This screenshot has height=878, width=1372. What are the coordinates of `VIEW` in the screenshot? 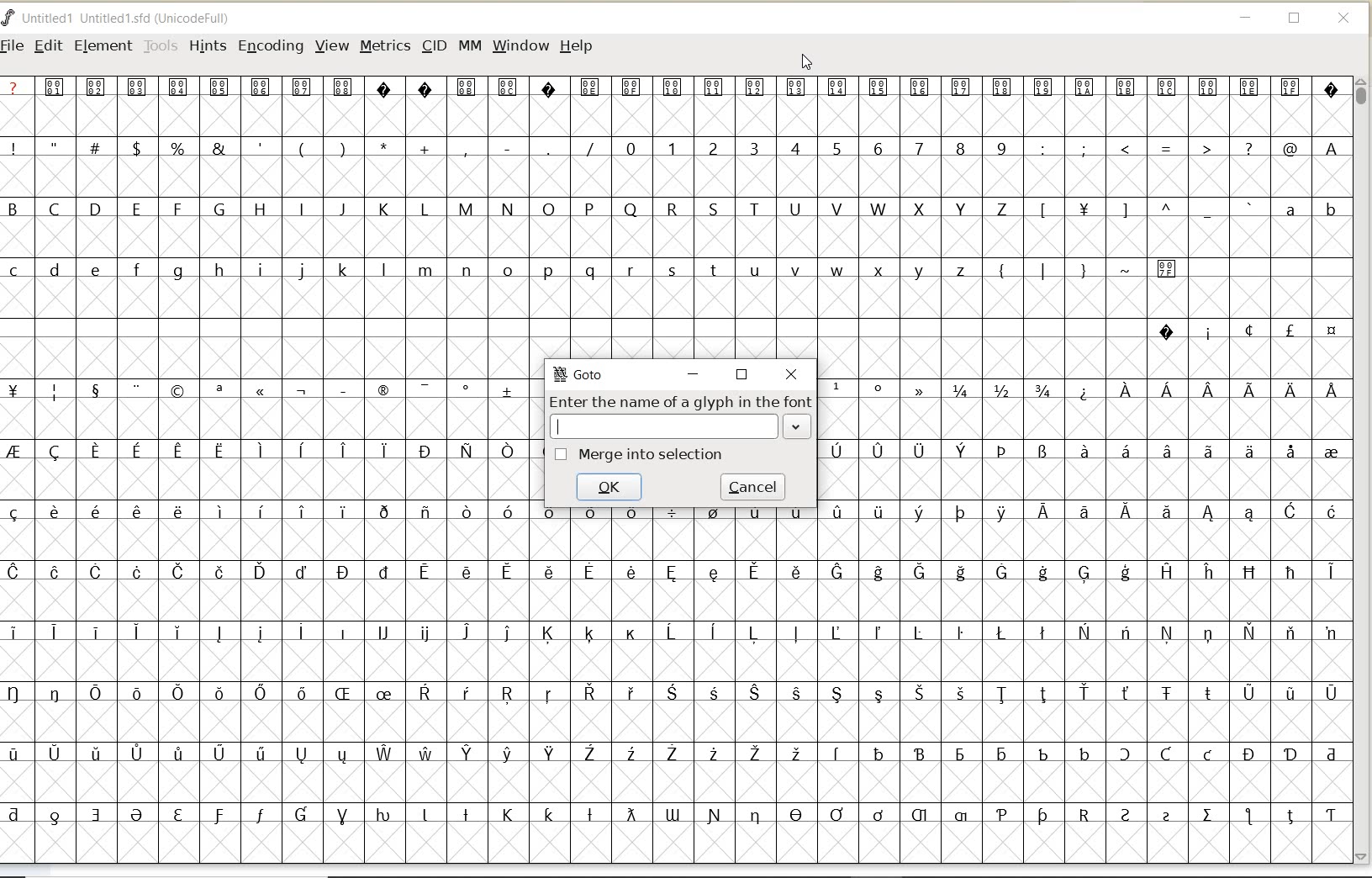 It's located at (332, 46).